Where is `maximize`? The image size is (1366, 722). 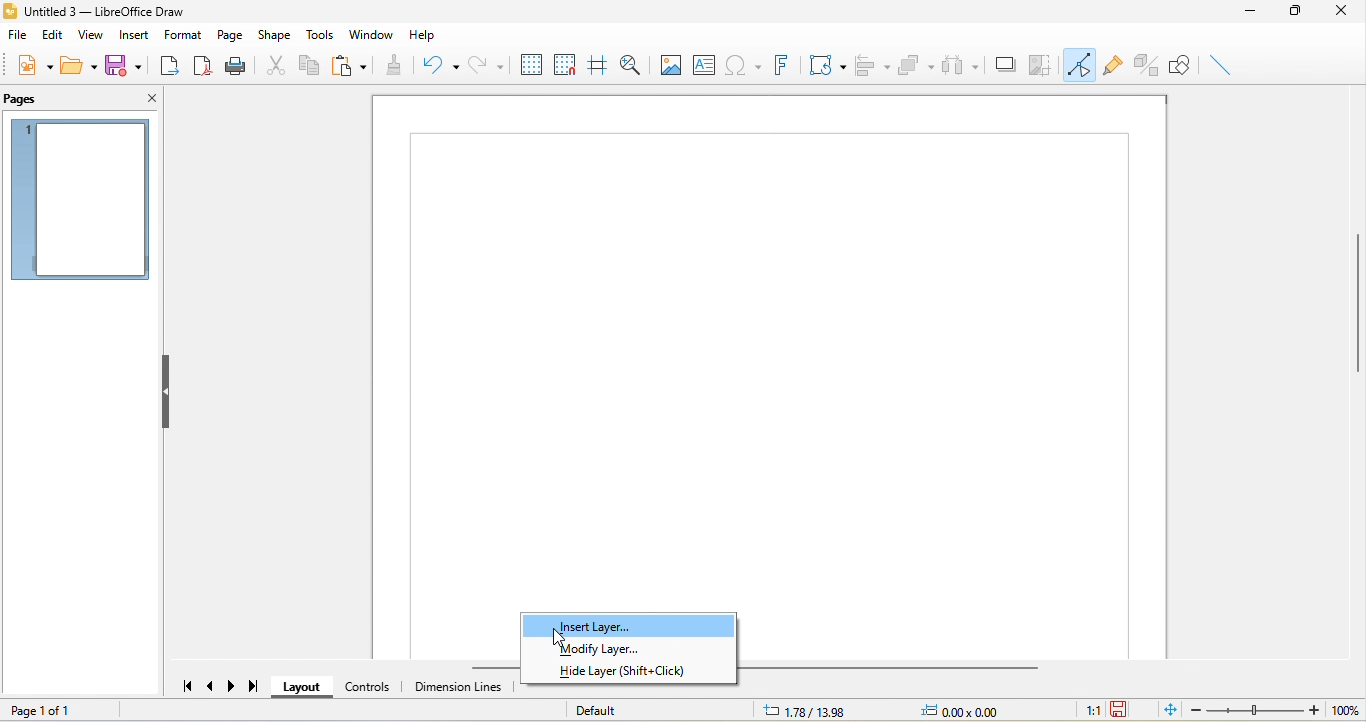 maximize is located at coordinates (1298, 11).